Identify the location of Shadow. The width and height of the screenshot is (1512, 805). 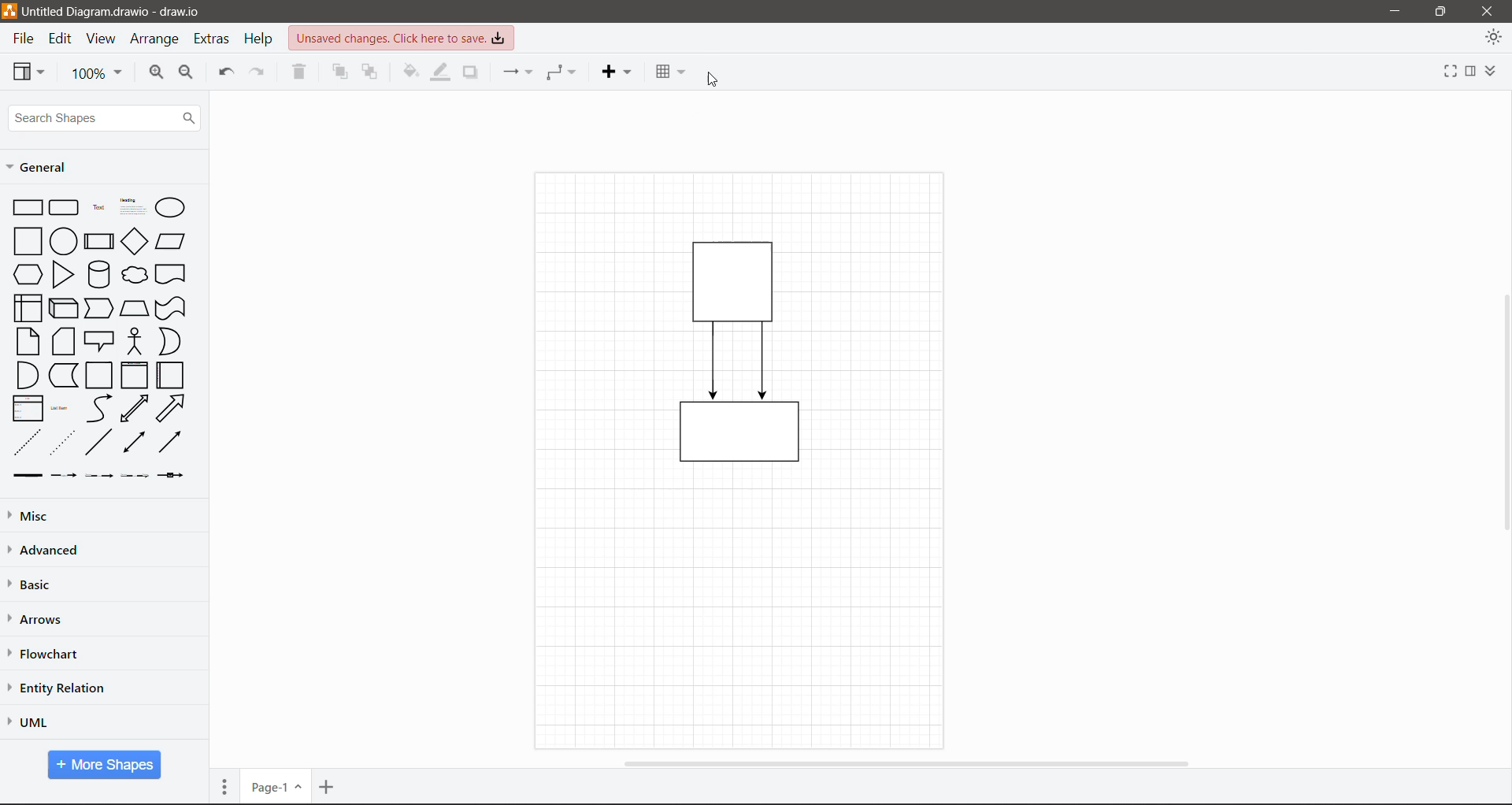
(470, 72).